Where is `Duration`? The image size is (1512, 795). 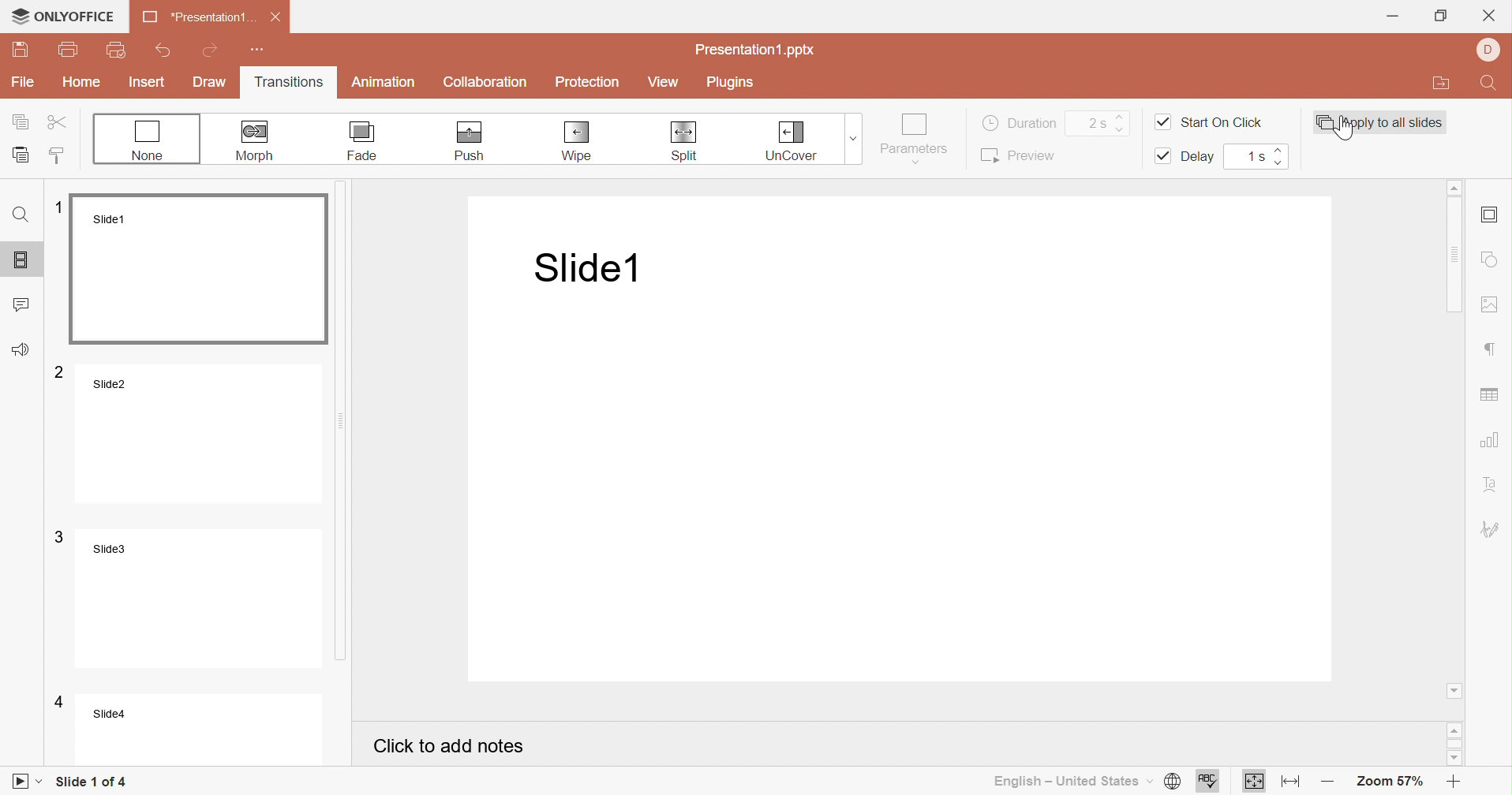 Duration is located at coordinates (1020, 121).